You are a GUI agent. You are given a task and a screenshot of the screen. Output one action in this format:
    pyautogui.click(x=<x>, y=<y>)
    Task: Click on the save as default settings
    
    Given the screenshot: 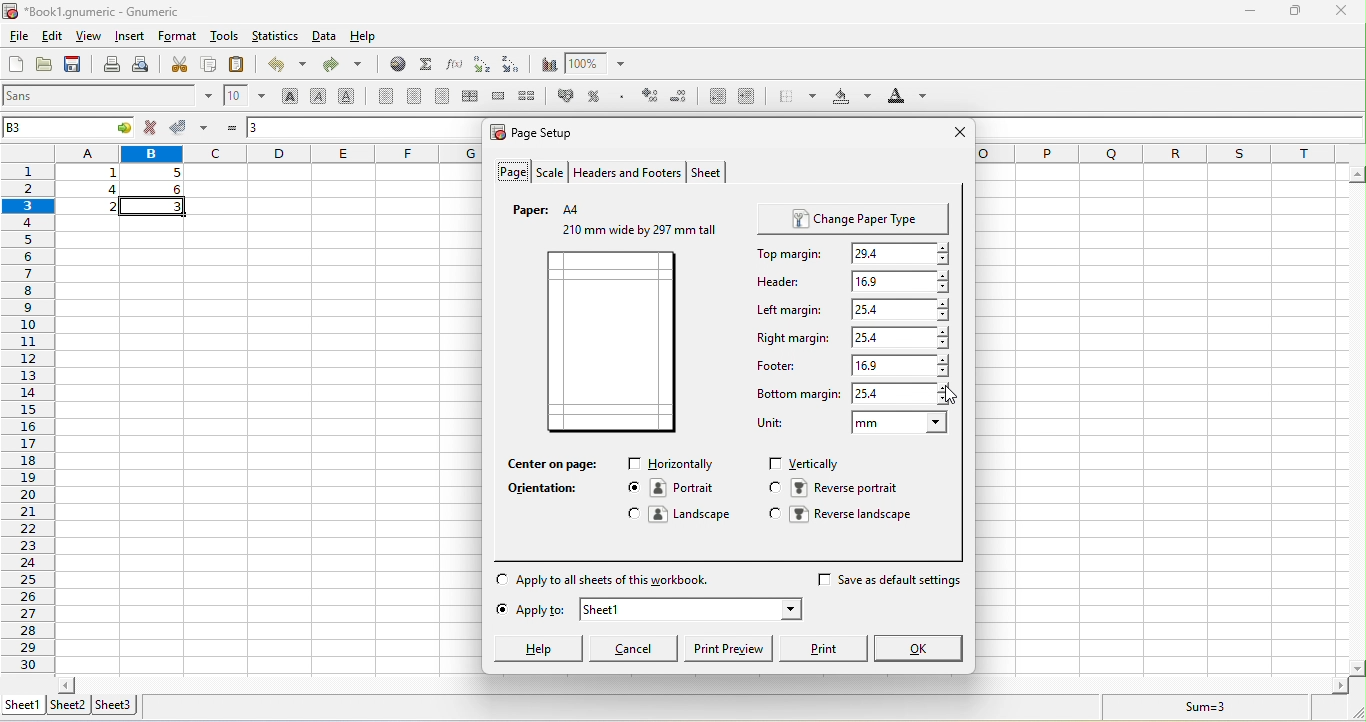 What is the action you would take?
    pyautogui.click(x=891, y=584)
    